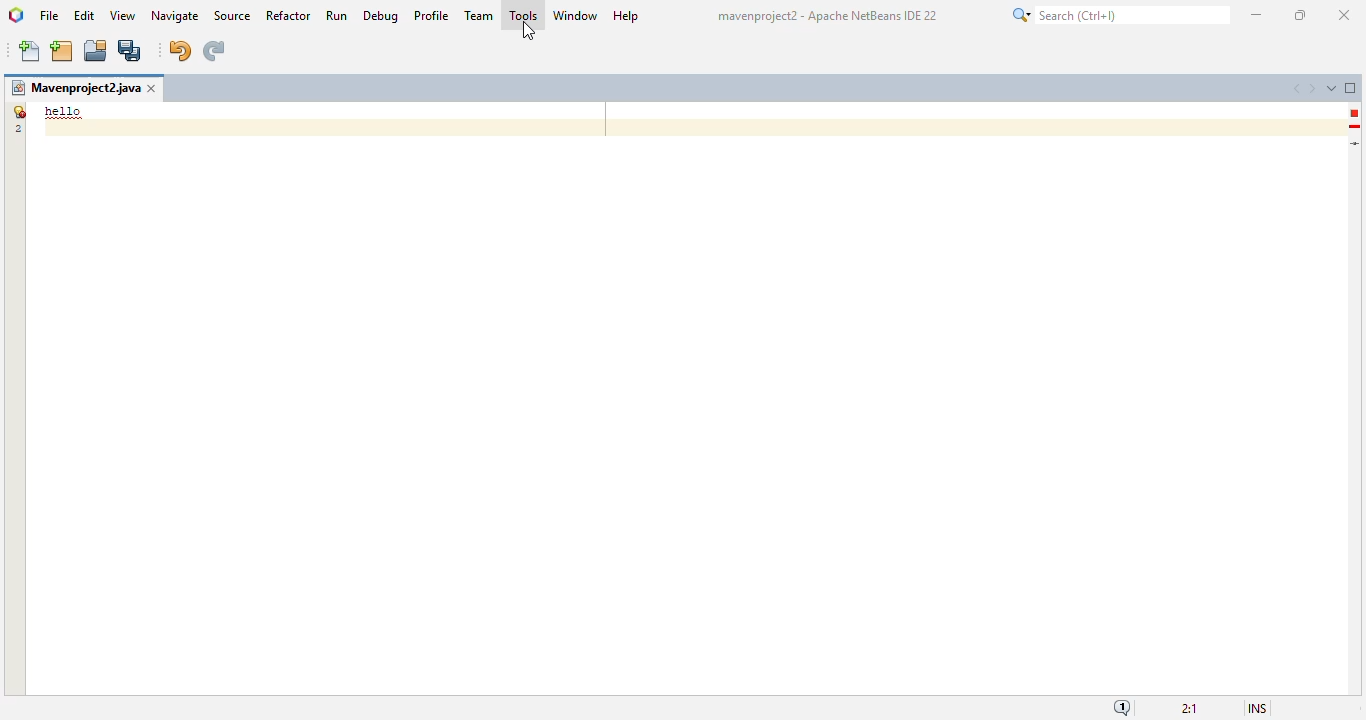 The width and height of the screenshot is (1366, 720). I want to click on demo text, so click(64, 111).